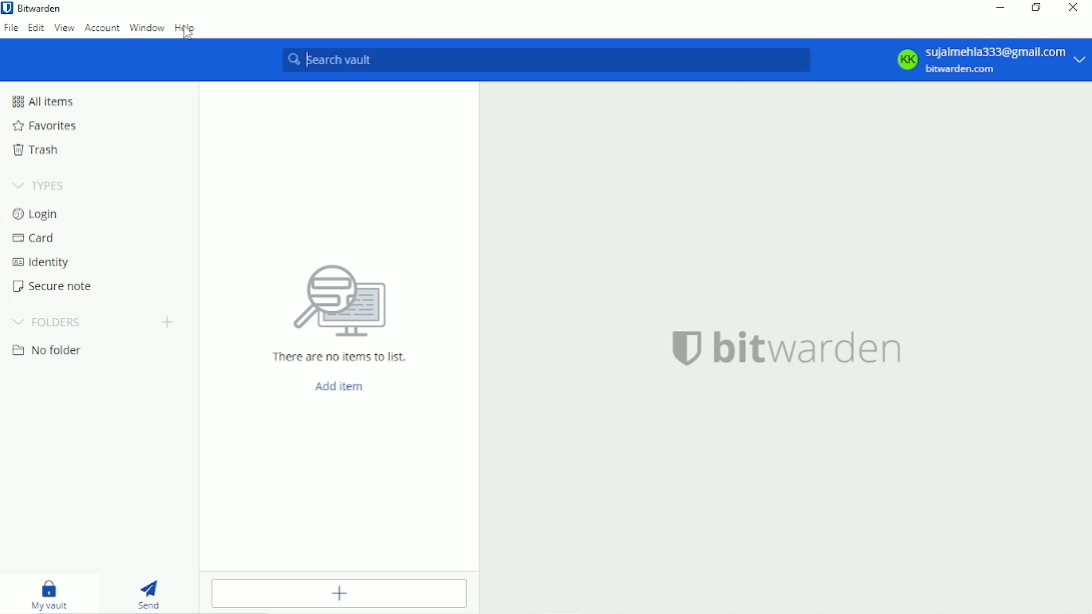 Image resolution: width=1092 pixels, height=614 pixels. I want to click on Send, so click(154, 591).